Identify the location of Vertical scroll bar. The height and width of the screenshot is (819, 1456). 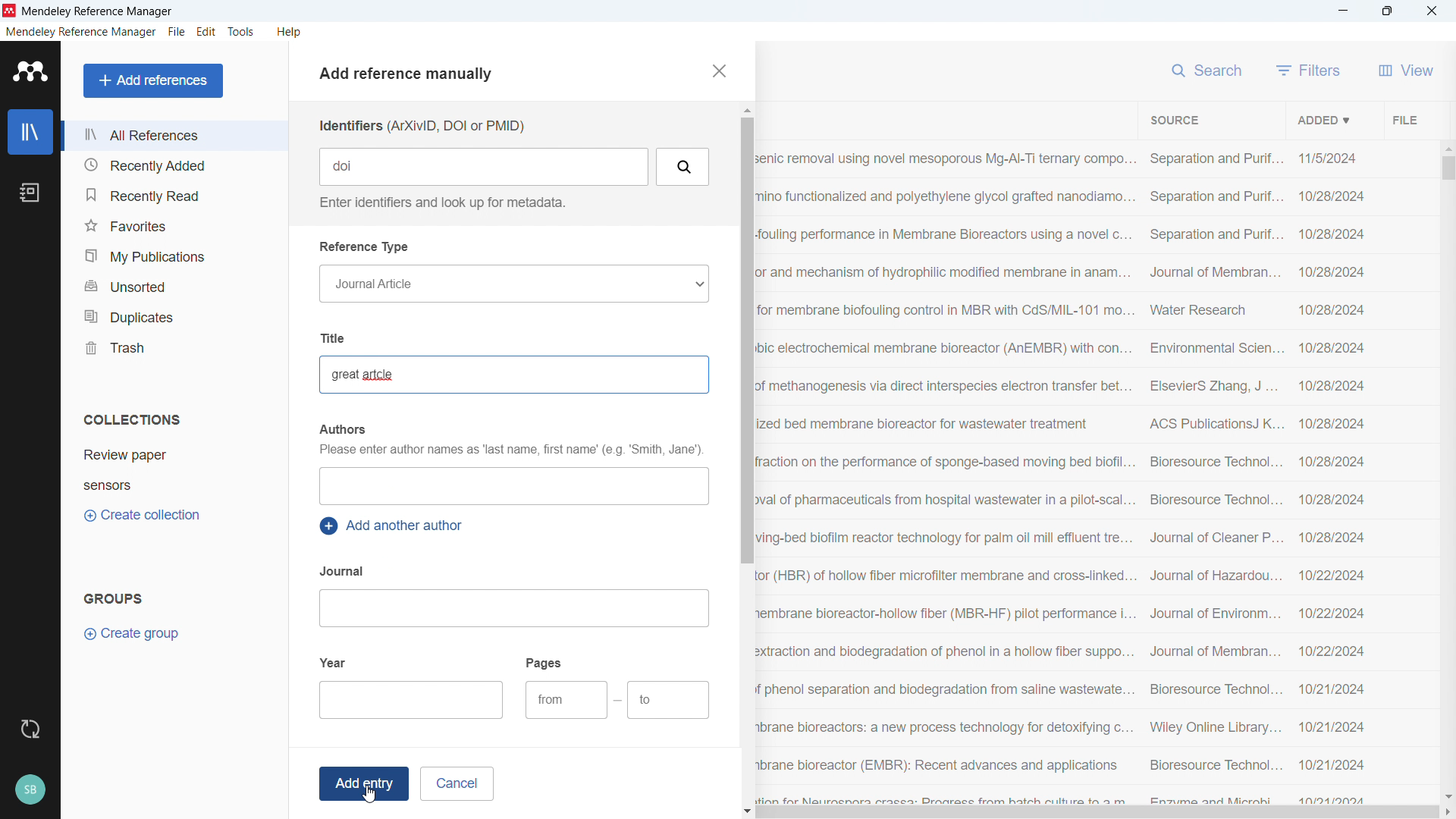
(745, 340).